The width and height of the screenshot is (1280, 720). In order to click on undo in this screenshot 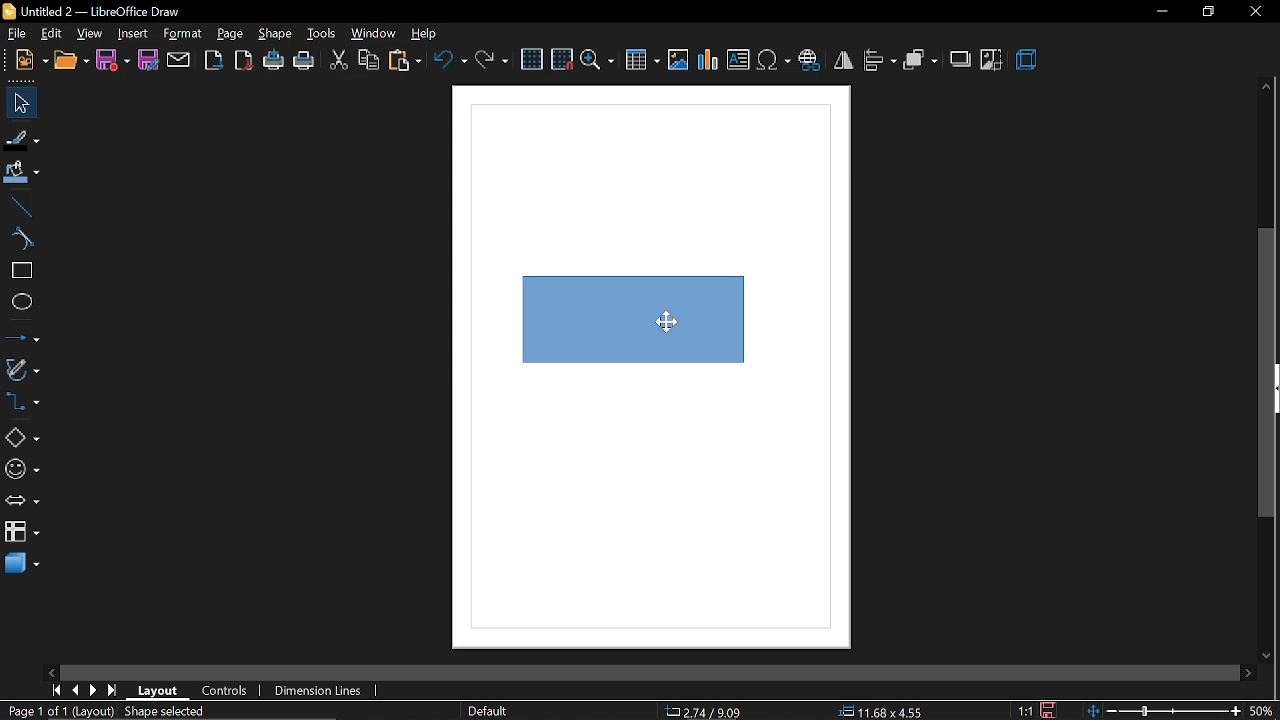, I will do `click(449, 60)`.